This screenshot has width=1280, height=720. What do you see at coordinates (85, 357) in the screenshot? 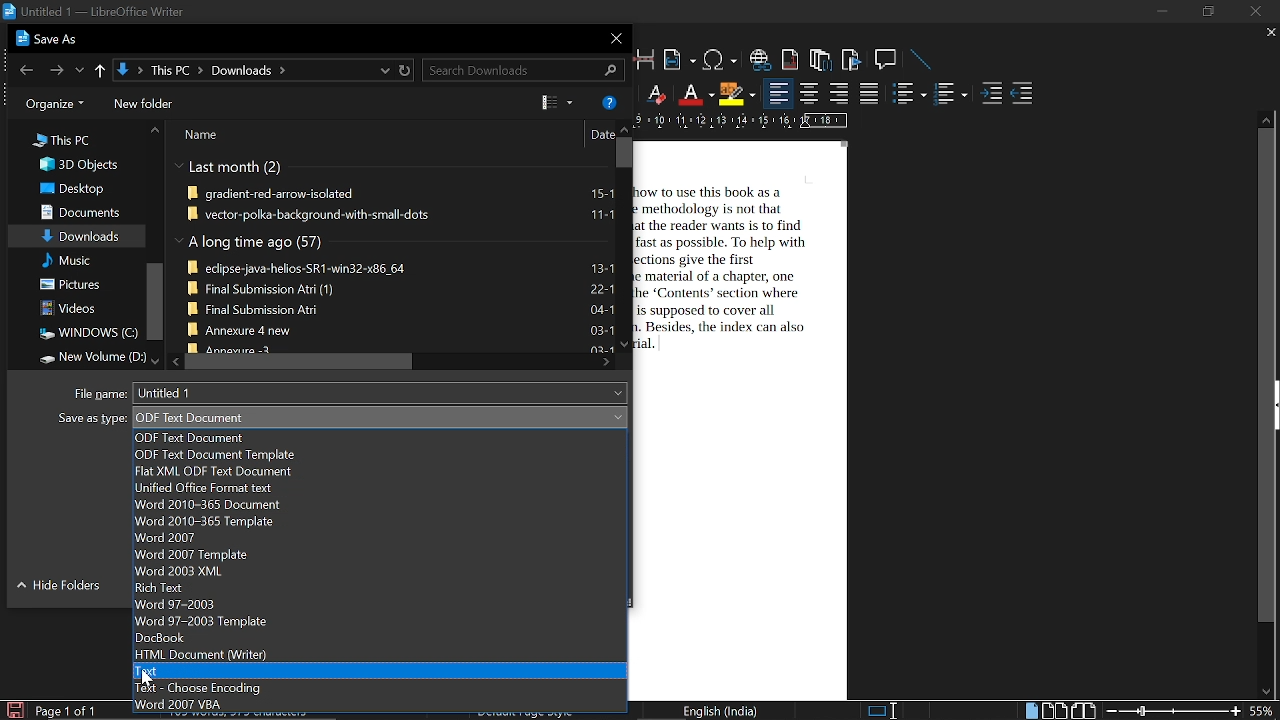
I see `New Volume D` at bounding box center [85, 357].